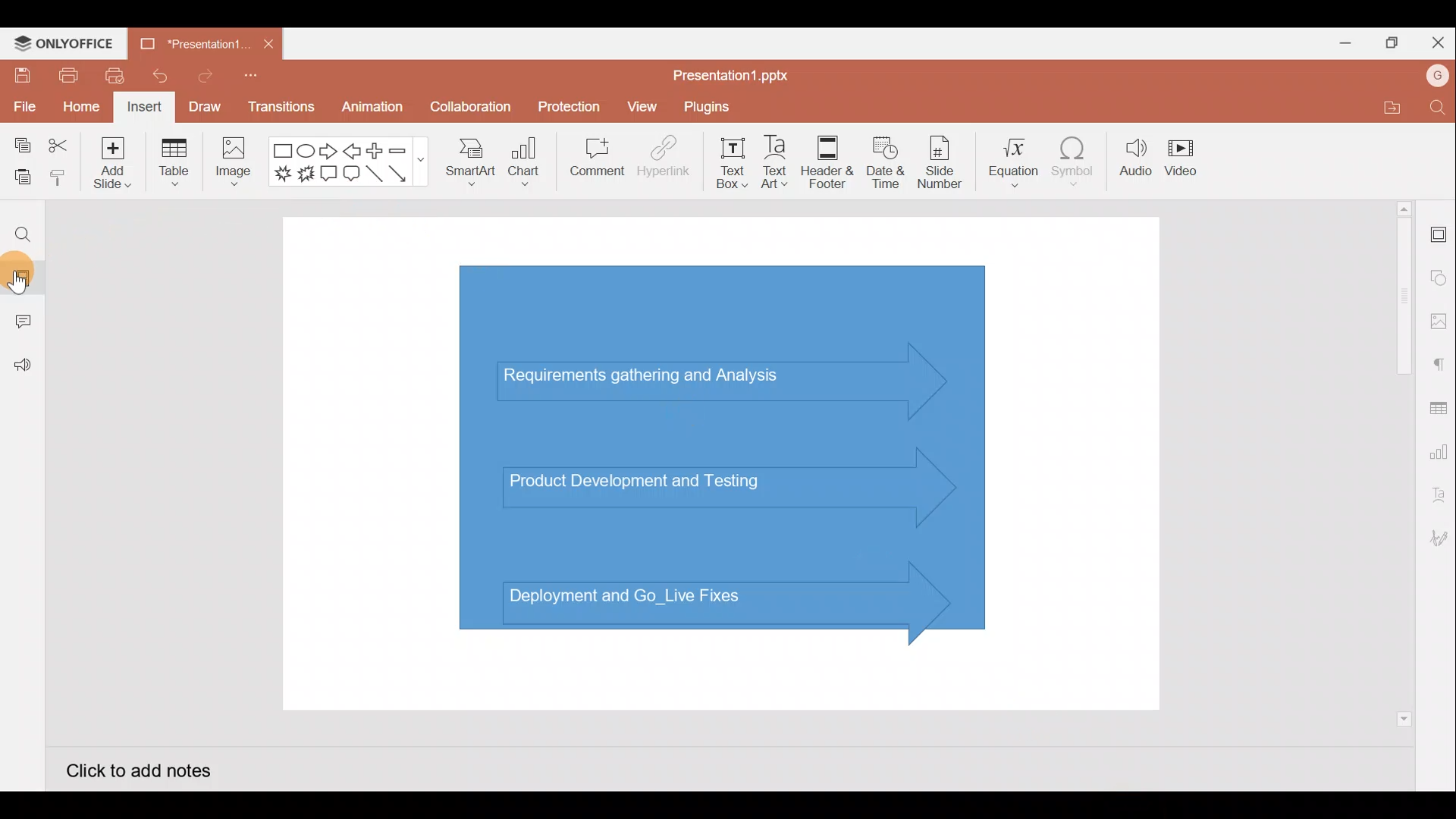 This screenshot has height=819, width=1456. What do you see at coordinates (1341, 45) in the screenshot?
I see `Minimize` at bounding box center [1341, 45].